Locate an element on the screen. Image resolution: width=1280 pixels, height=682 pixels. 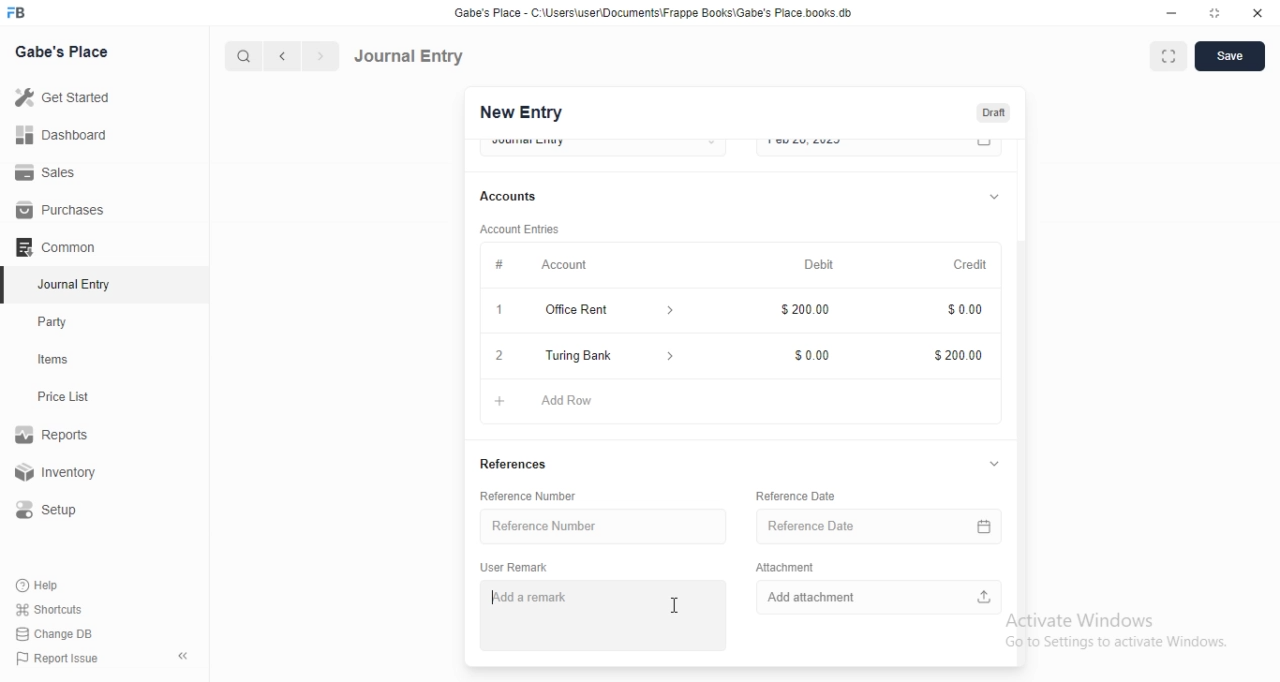
Get Started is located at coordinates (61, 99).